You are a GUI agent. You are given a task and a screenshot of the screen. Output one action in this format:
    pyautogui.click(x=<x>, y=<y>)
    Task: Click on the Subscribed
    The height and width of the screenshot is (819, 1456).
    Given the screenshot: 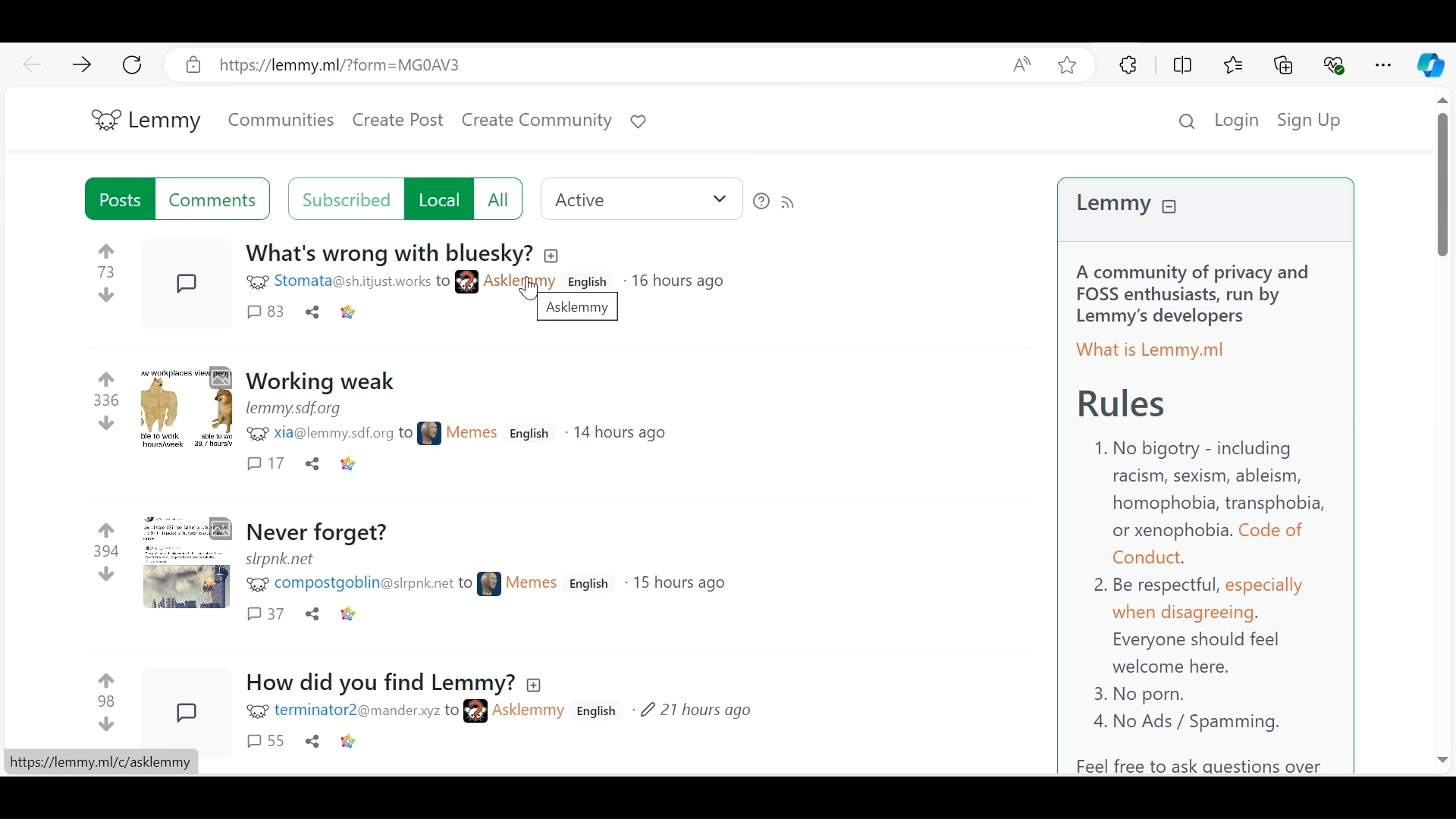 What is the action you would take?
    pyautogui.click(x=343, y=199)
    